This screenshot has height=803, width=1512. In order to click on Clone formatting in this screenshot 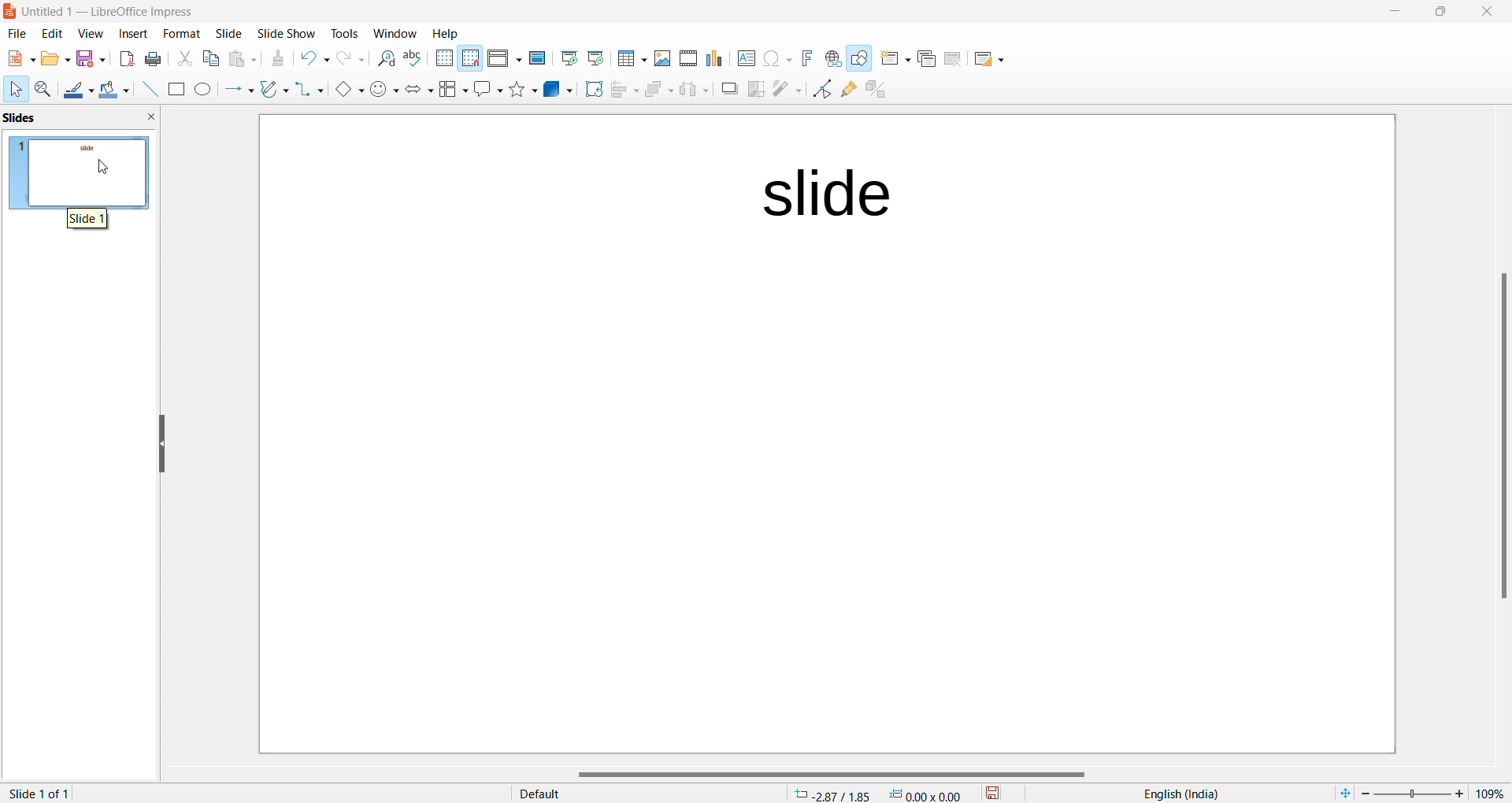, I will do `click(282, 60)`.